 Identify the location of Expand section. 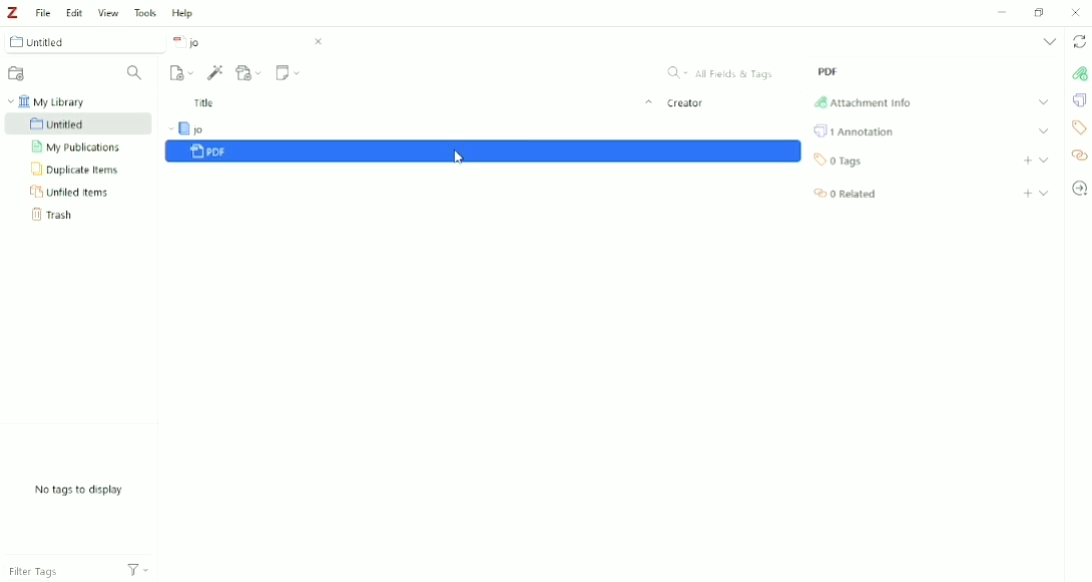
(1044, 130).